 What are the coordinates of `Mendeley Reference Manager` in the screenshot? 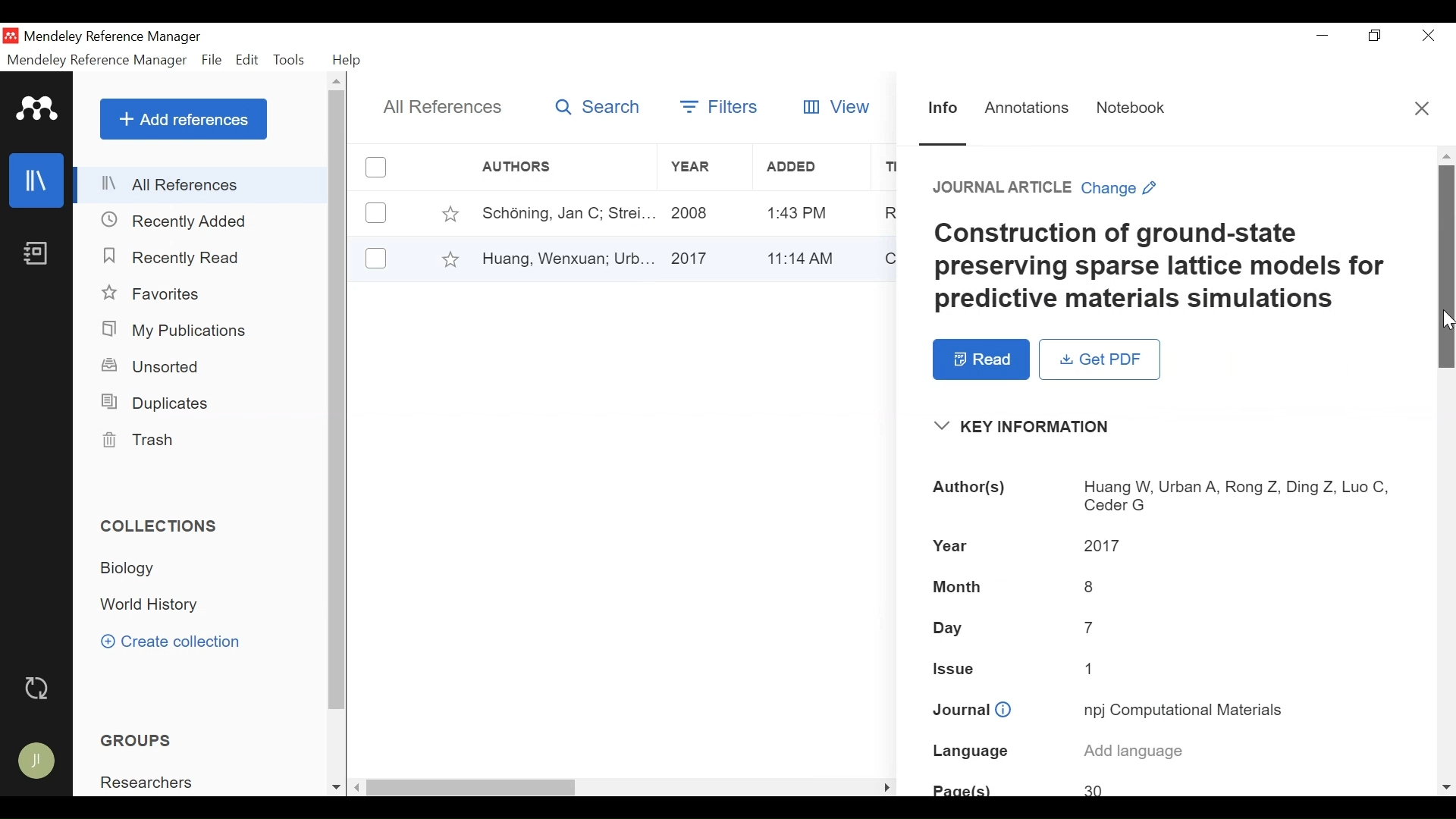 It's located at (116, 36).